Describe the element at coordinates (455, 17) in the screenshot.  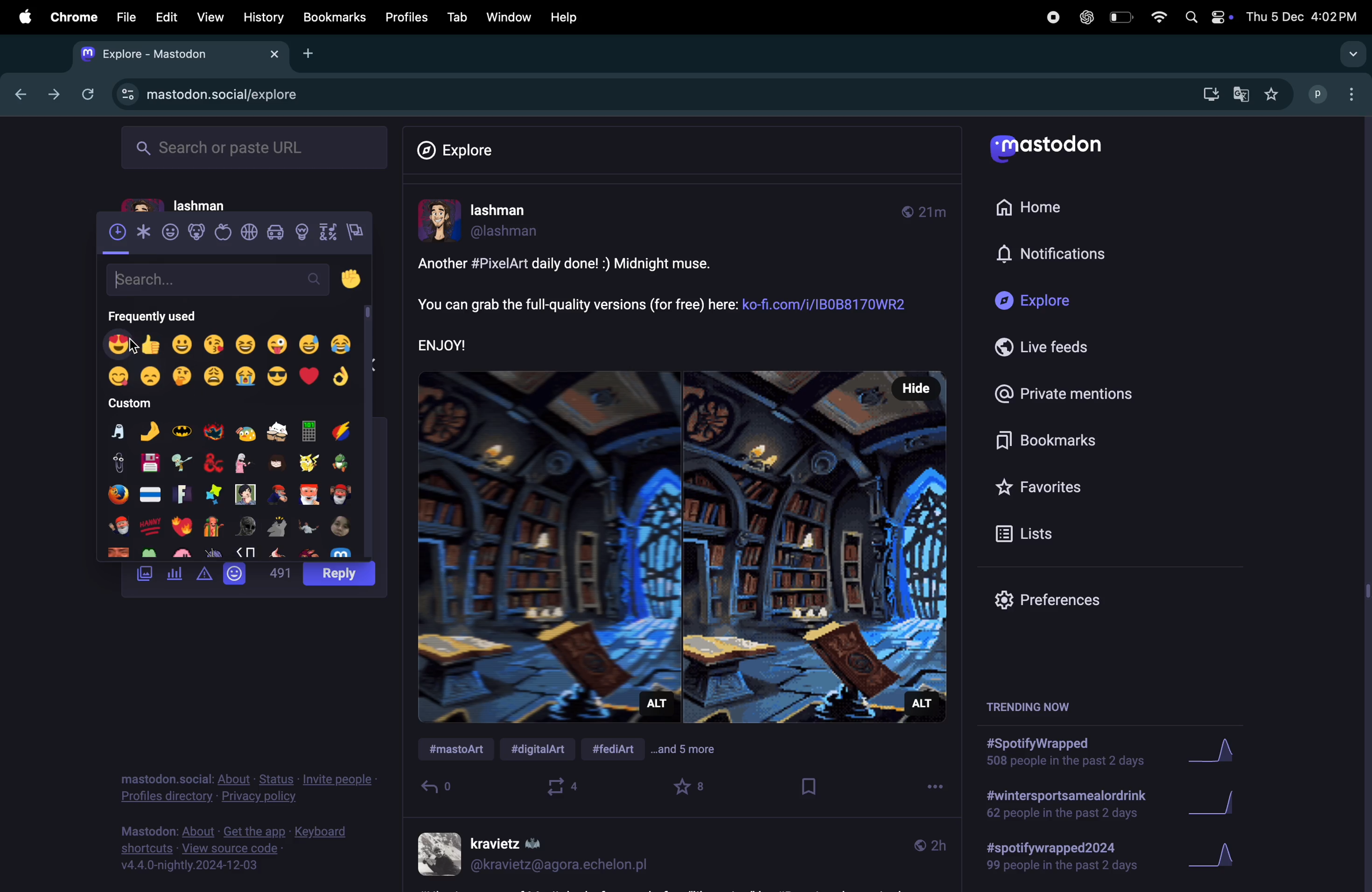
I see `tab` at that location.